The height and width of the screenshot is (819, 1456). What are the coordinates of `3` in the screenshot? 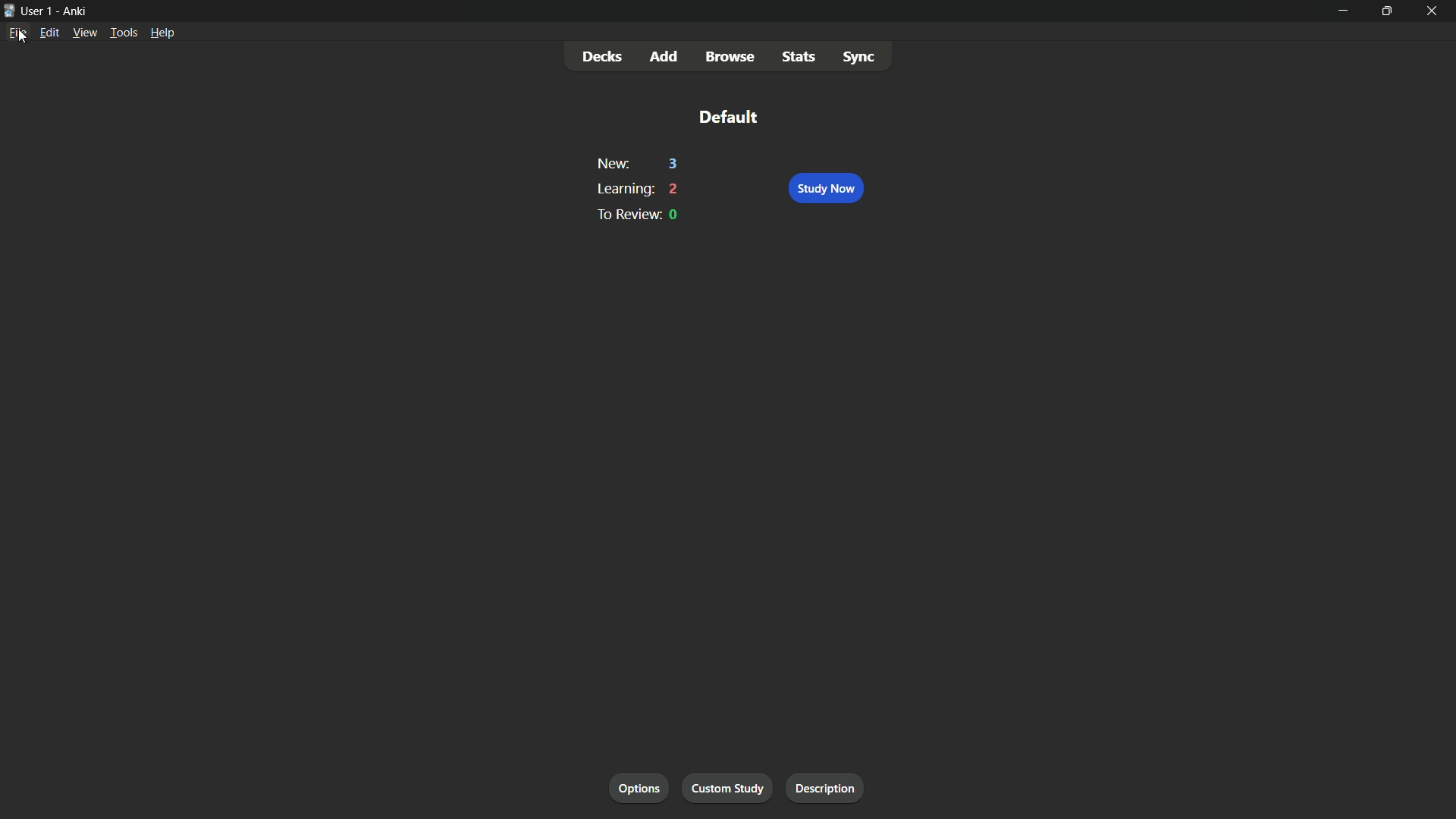 It's located at (674, 165).